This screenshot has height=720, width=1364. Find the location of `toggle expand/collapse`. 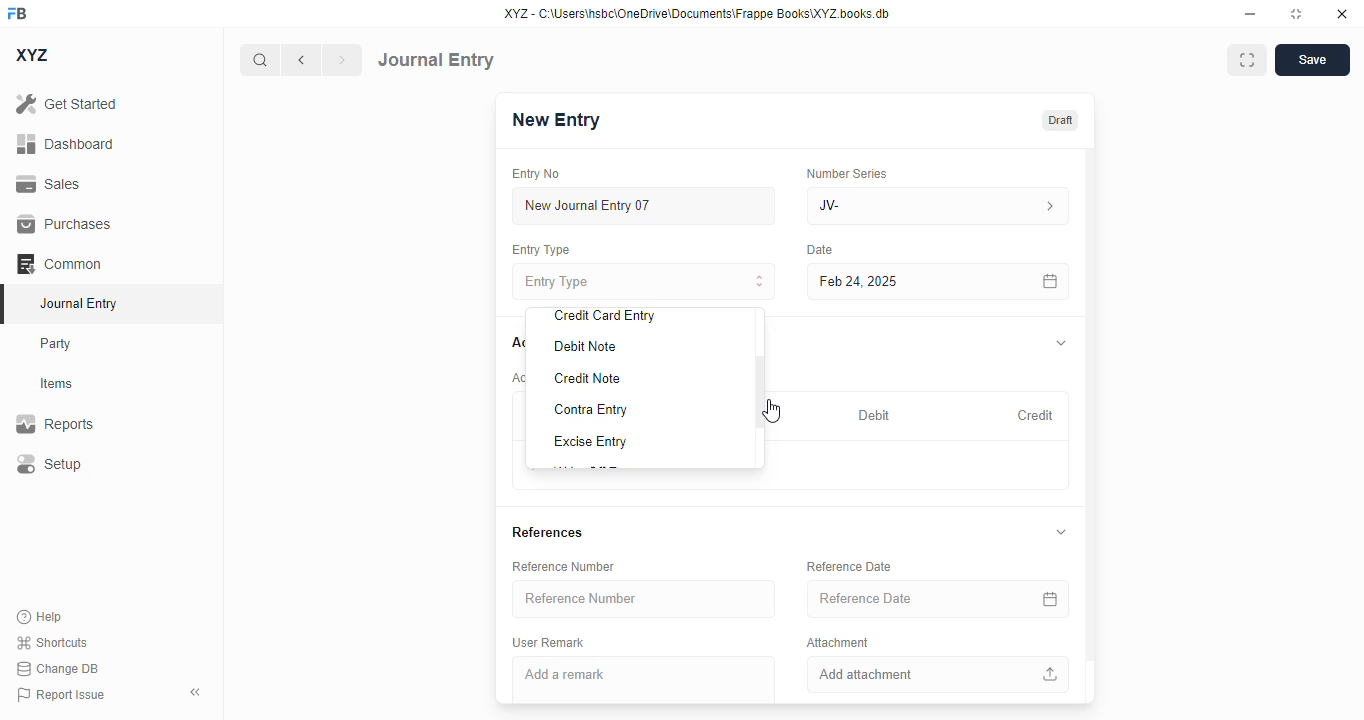

toggle expand/collapse is located at coordinates (1062, 342).